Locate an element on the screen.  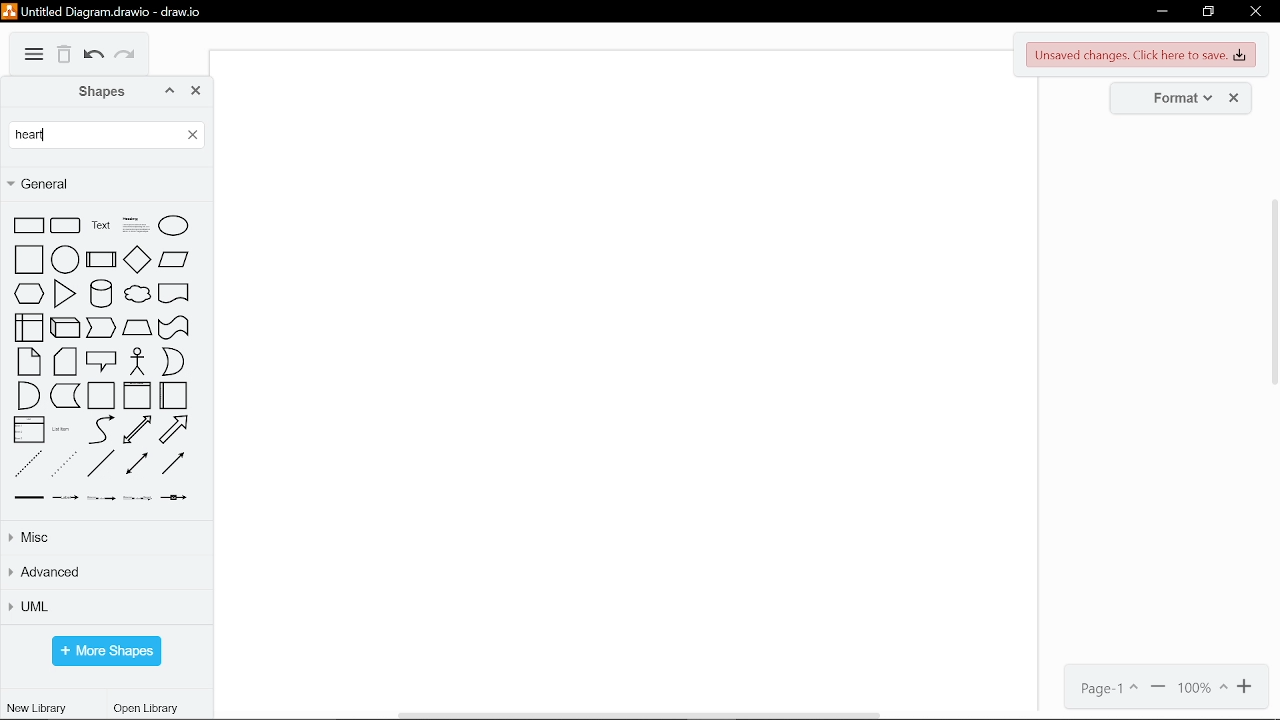
close is located at coordinates (1237, 98).